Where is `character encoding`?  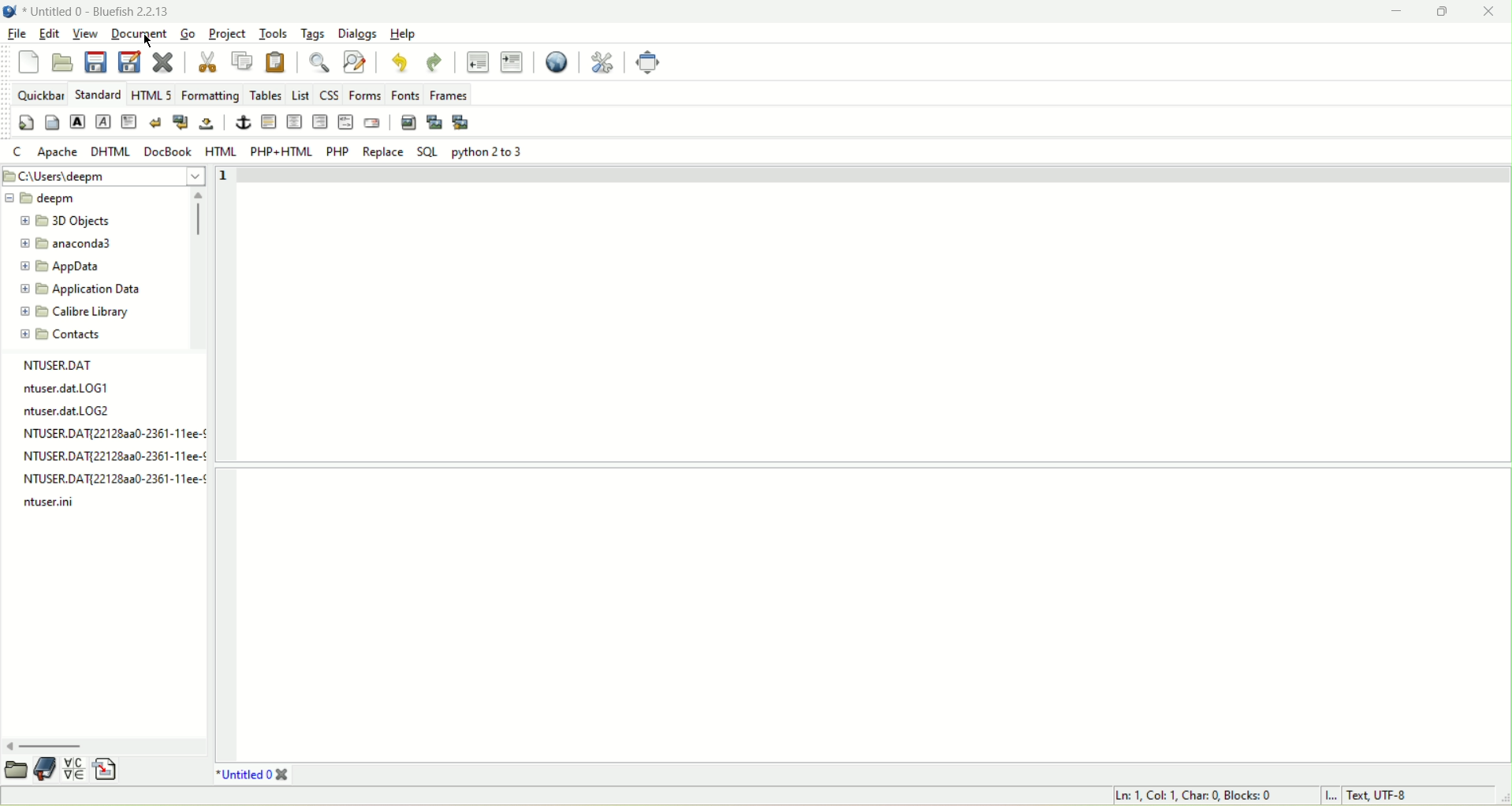
character encoding is located at coordinates (1410, 797).